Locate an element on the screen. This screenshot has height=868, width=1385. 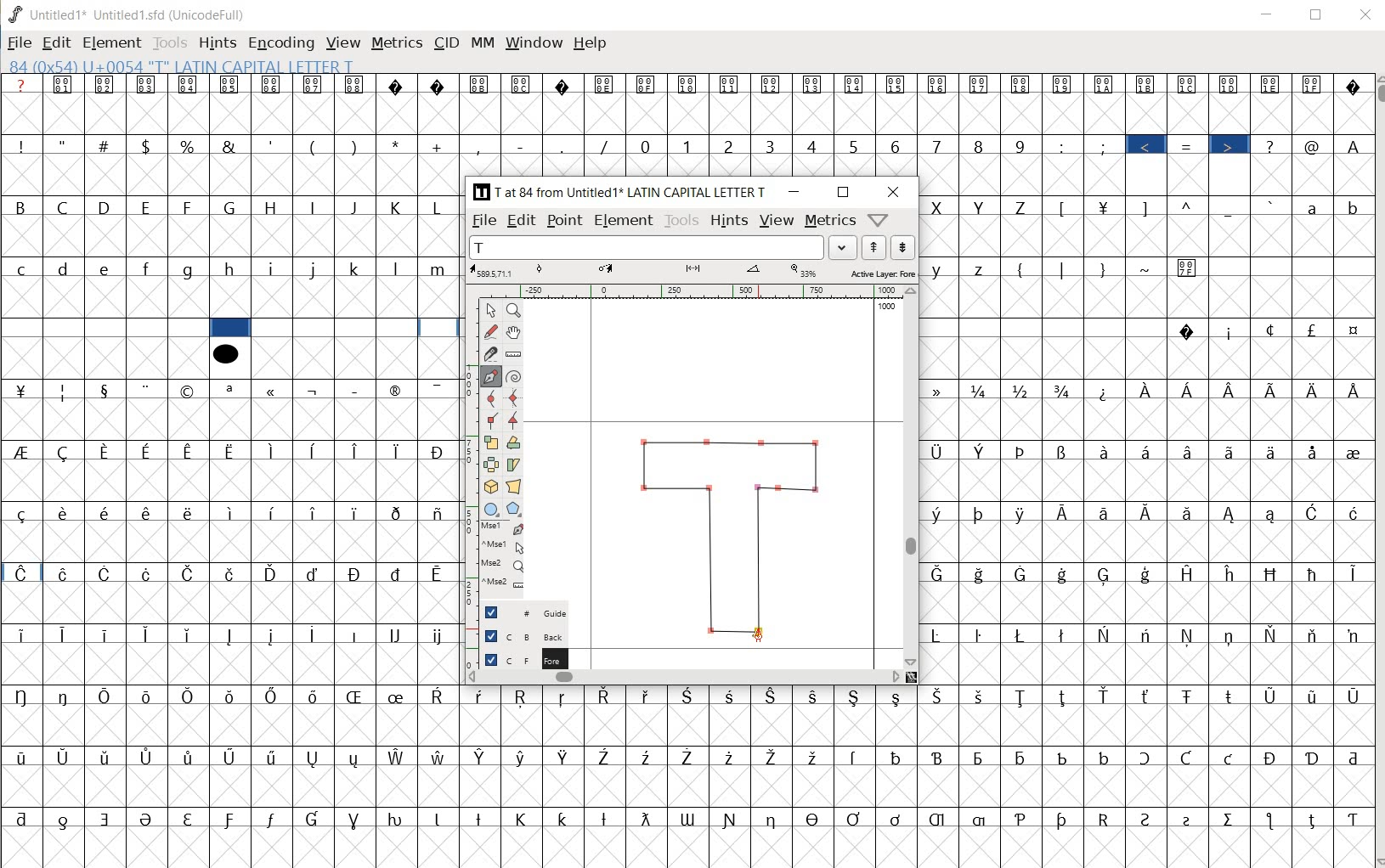
close is located at coordinates (894, 192).